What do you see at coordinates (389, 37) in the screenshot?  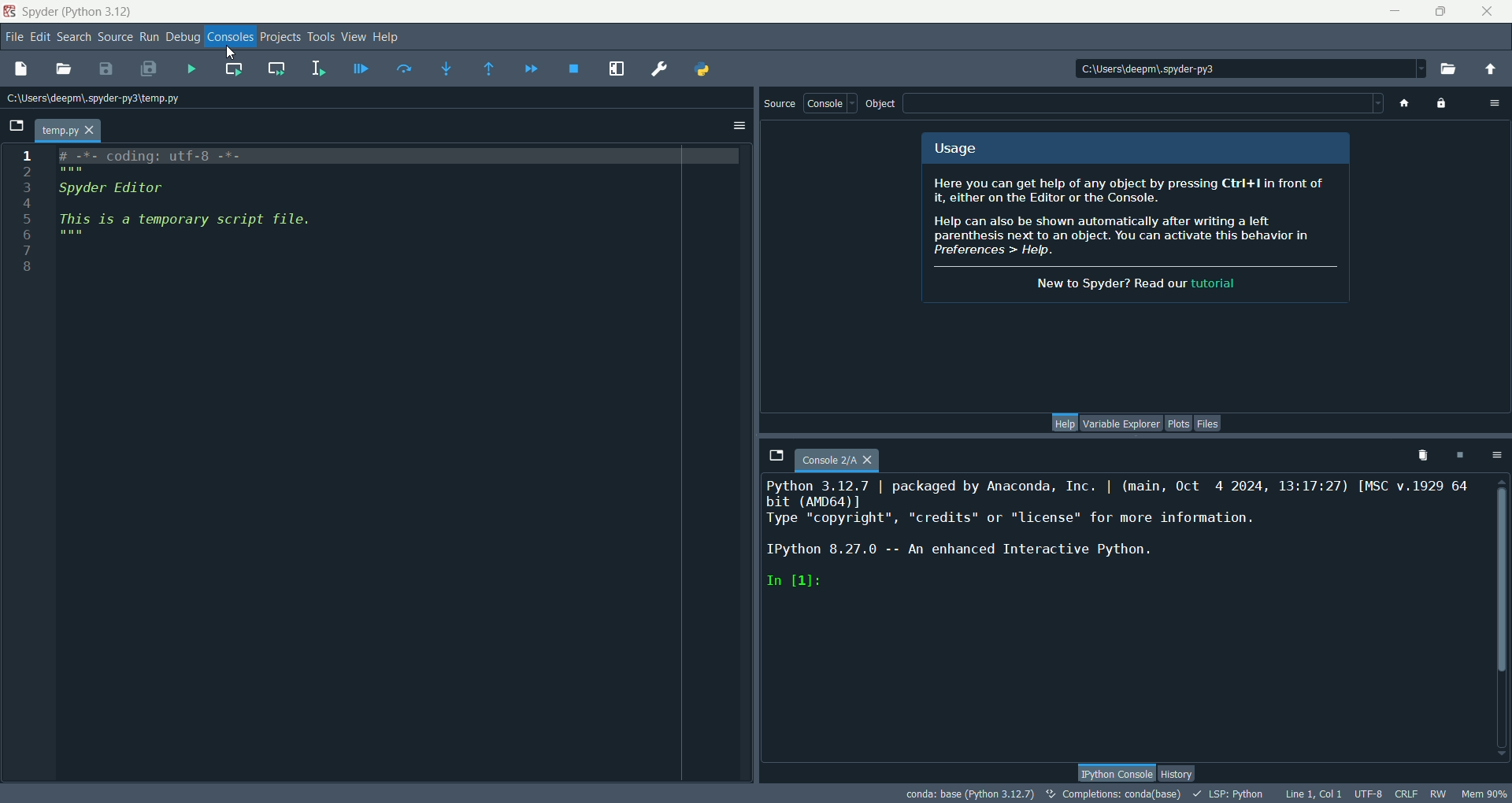 I see `help` at bounding box center [389, 37].